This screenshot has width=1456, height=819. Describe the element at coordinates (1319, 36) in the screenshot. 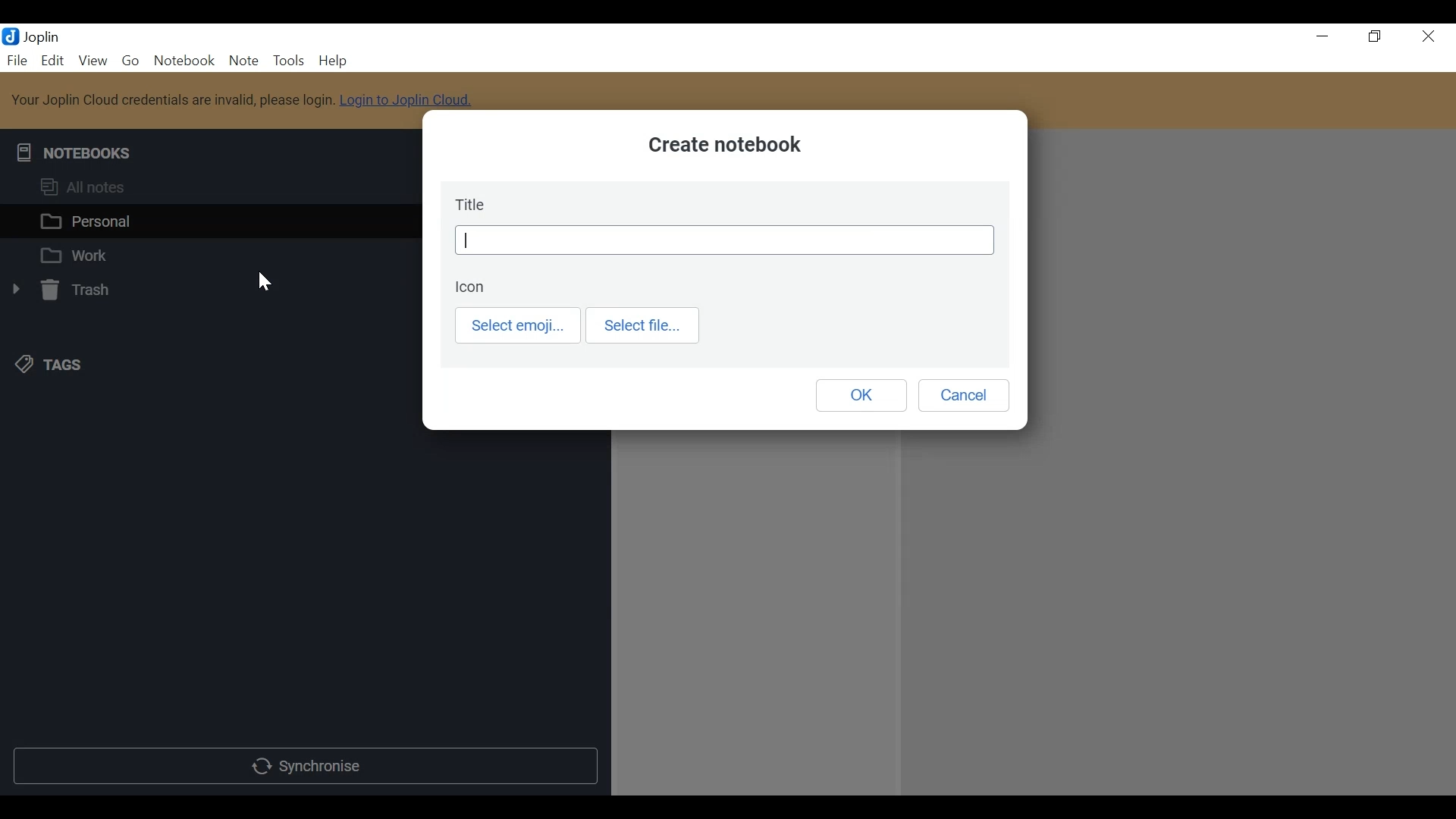

I see `minimize` at that location.